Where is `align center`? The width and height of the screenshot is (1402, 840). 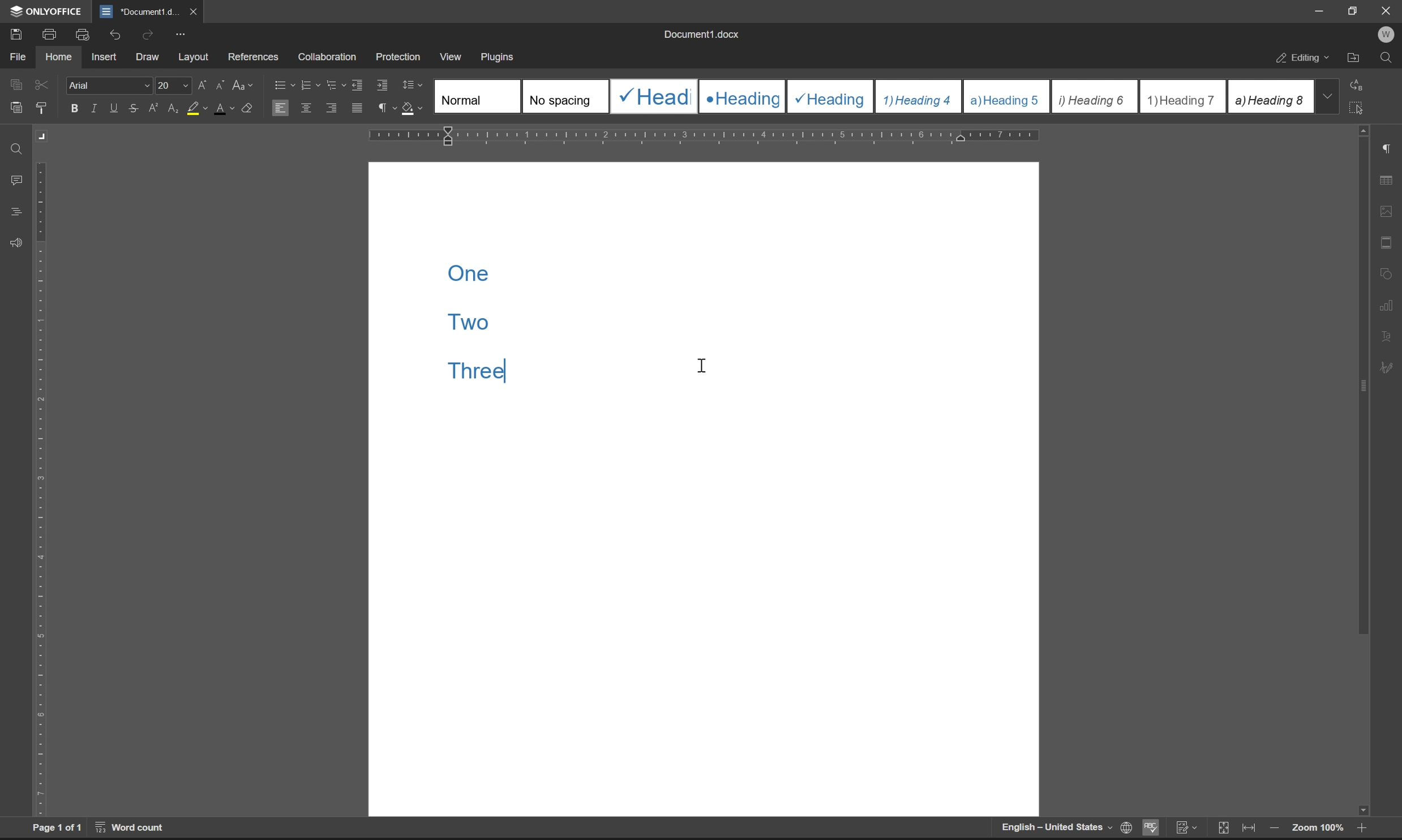
align center is located at coordinates (307, 107).